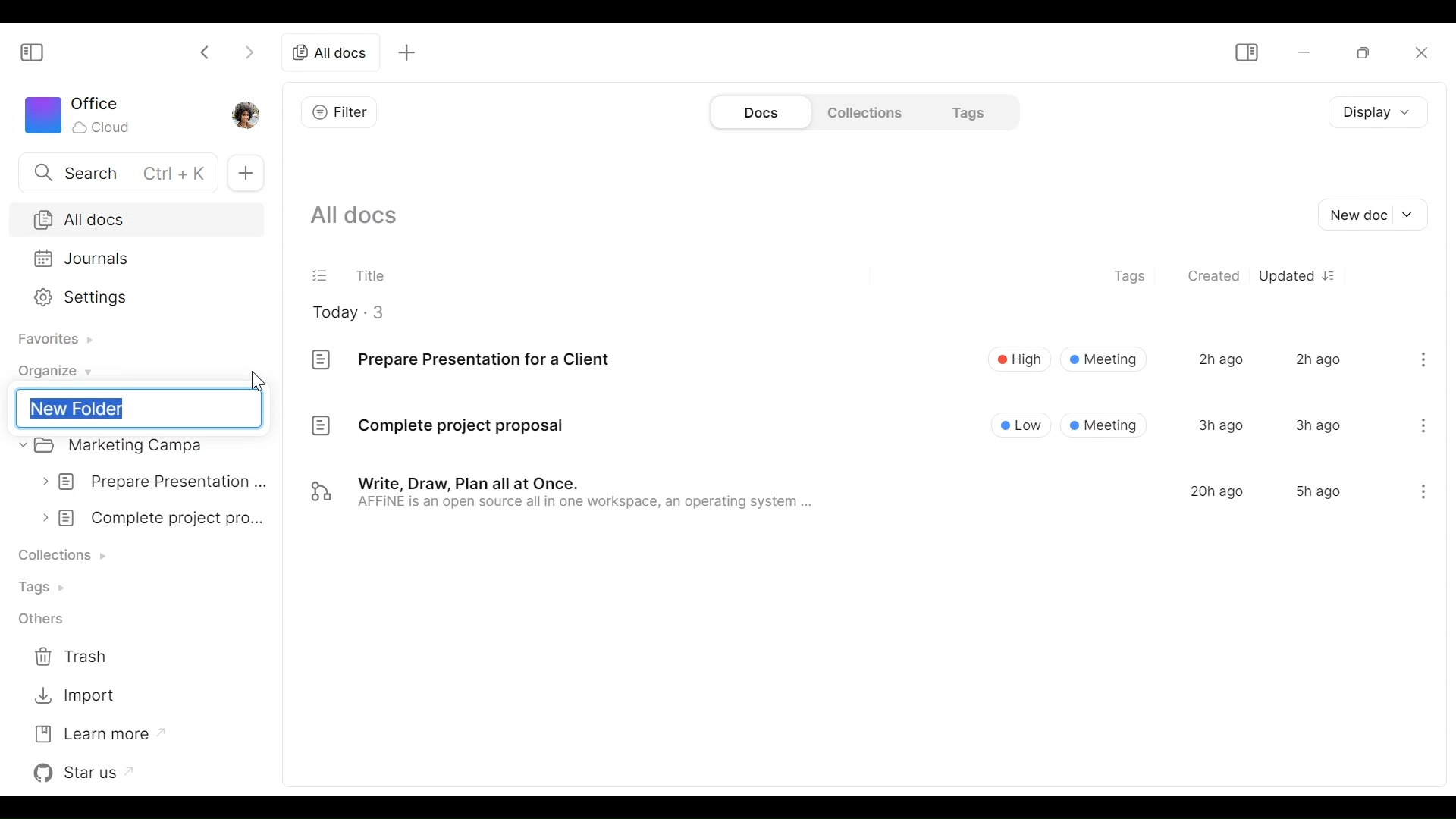 The image size is (1456, 819). Describe the element at coordinates (330, 53) in the screenshot. I see `all docs` at that location.